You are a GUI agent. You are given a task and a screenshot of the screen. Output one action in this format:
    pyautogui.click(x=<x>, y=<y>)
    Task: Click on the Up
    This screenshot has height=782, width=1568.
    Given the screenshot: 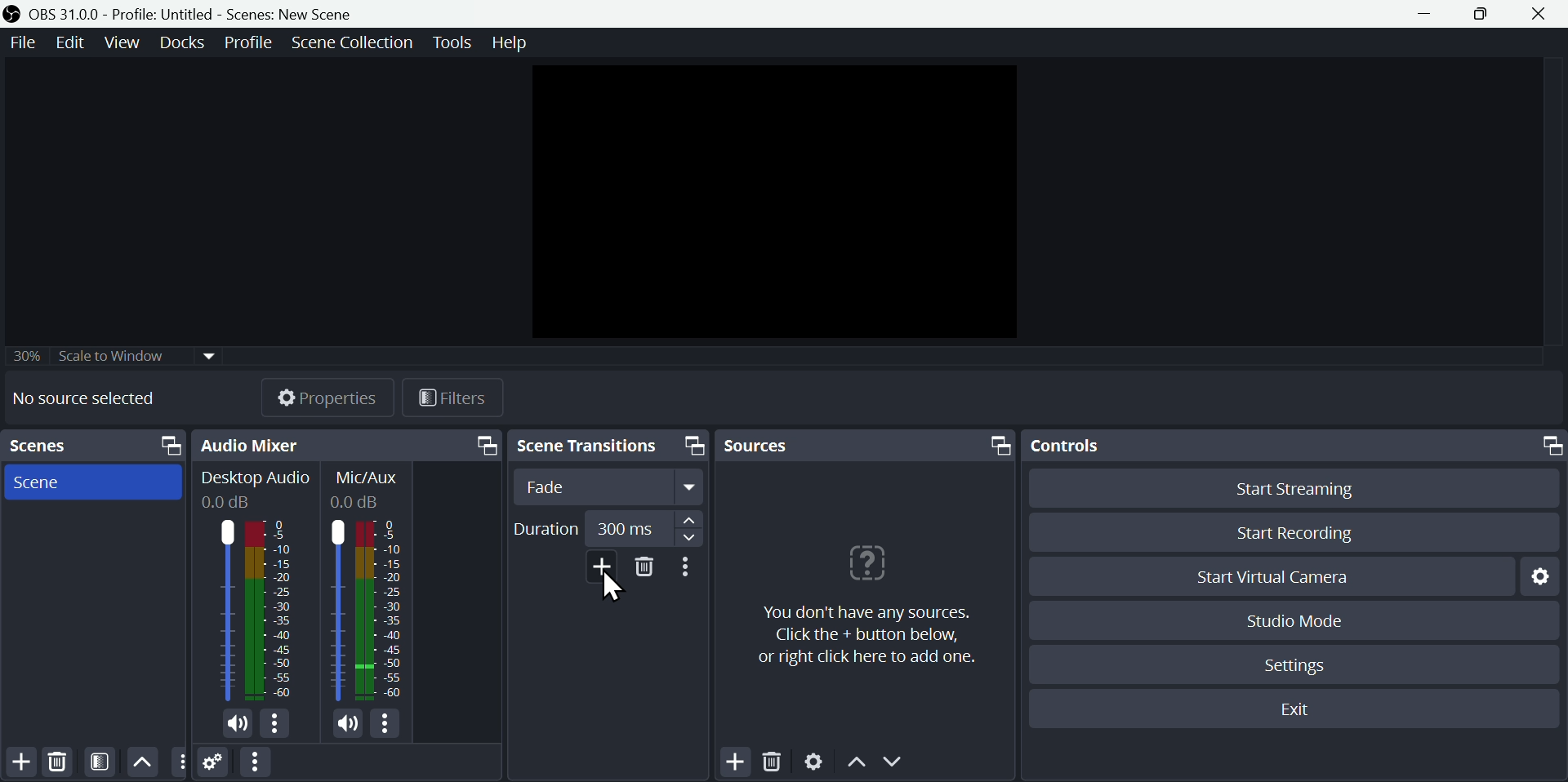 What is the action you would take?
    pyautogui.click(x=143, y=761)
    